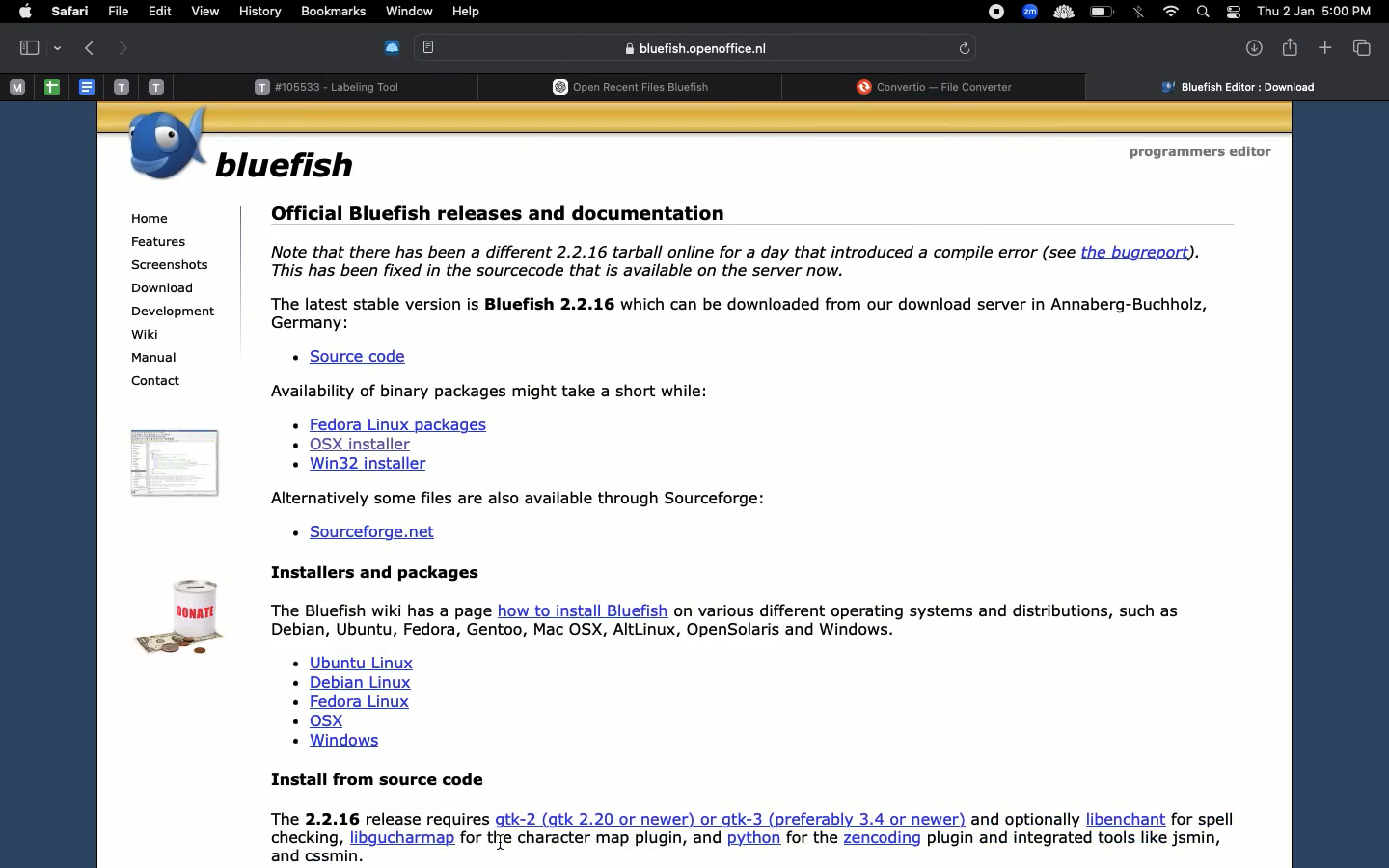  Describe the element at coordinates (163, 288) in the screenshot. I see `download` at that location.